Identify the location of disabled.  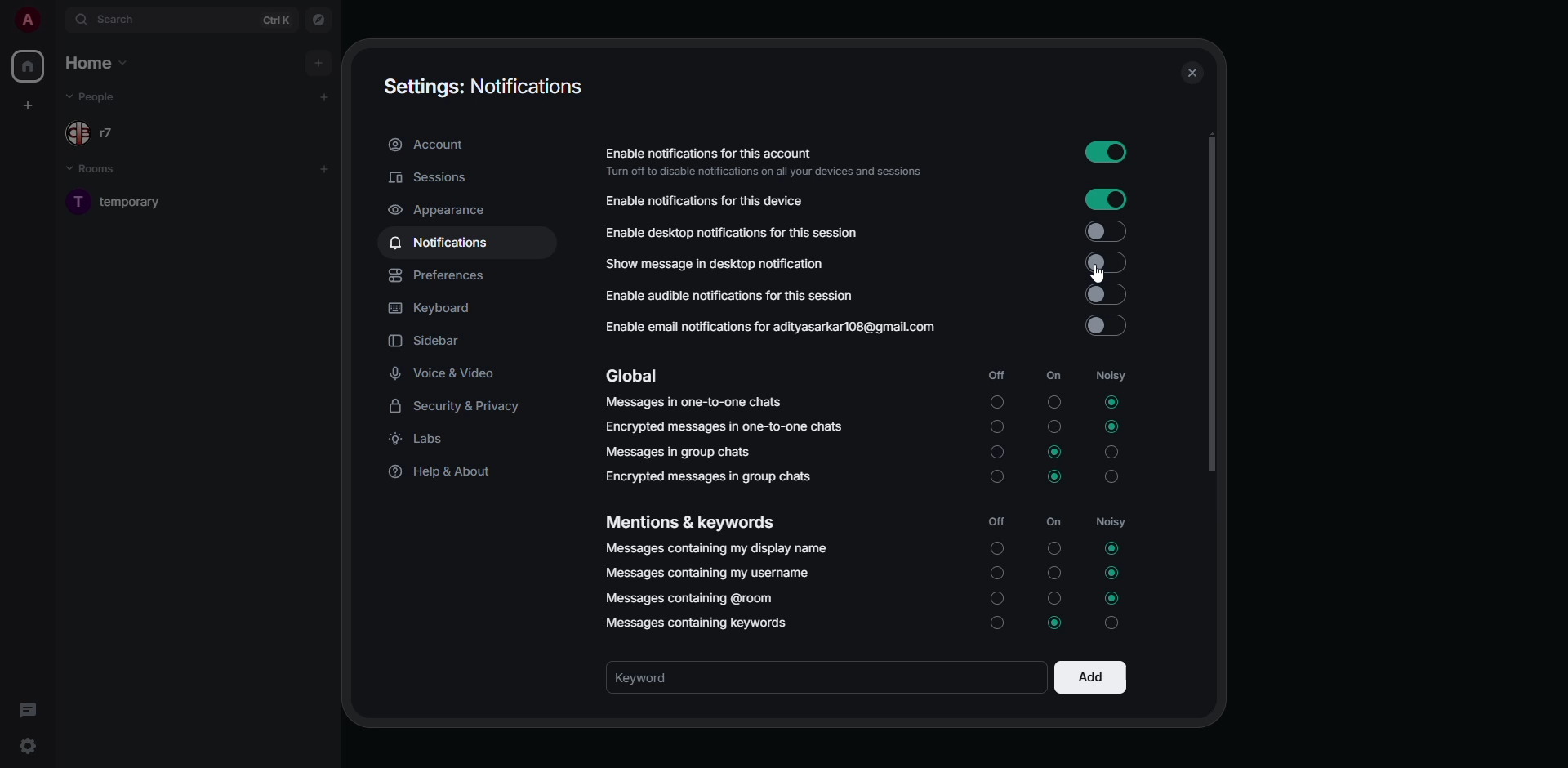
(1108, 263).